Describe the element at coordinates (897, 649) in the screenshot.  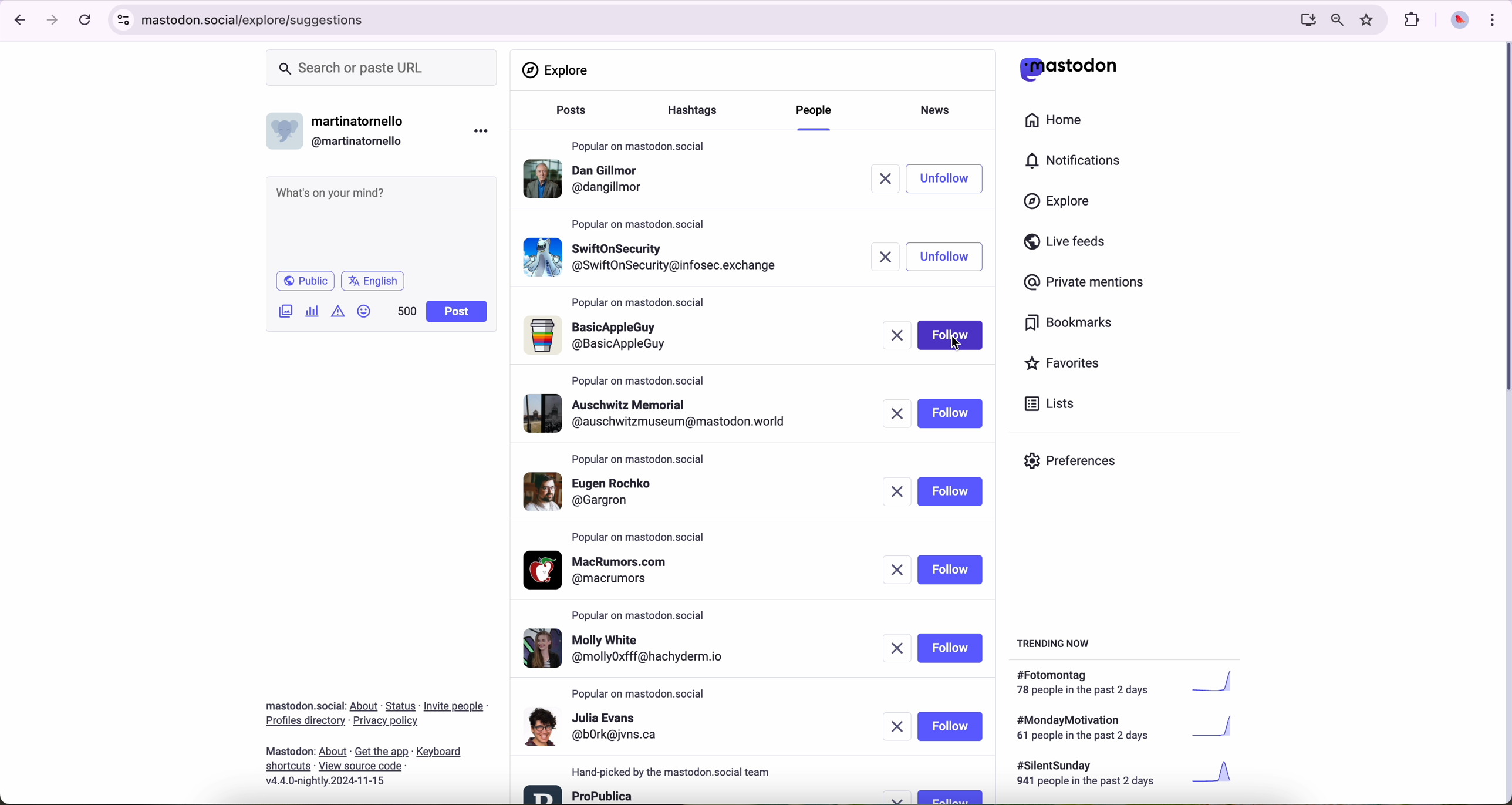
I see `remove` at that location.